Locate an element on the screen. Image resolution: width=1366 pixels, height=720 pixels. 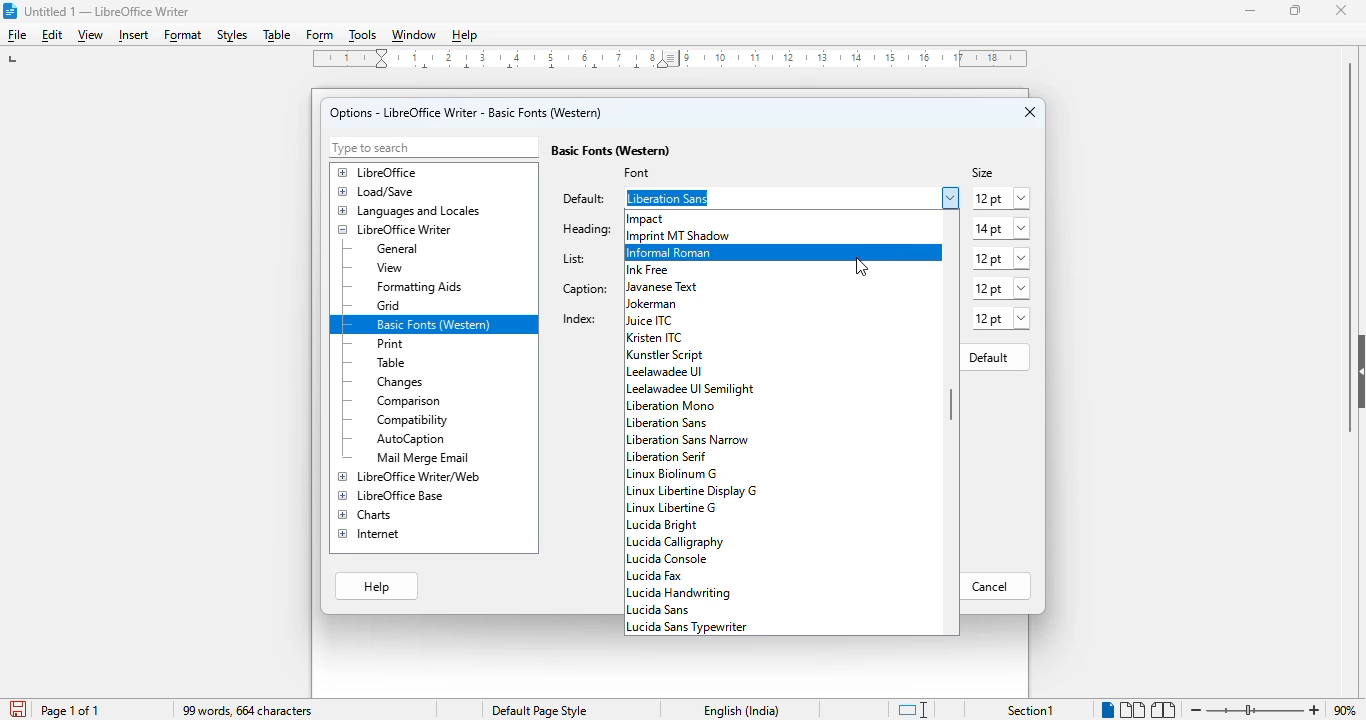
12 pt is located at coordinates (1001, 258).